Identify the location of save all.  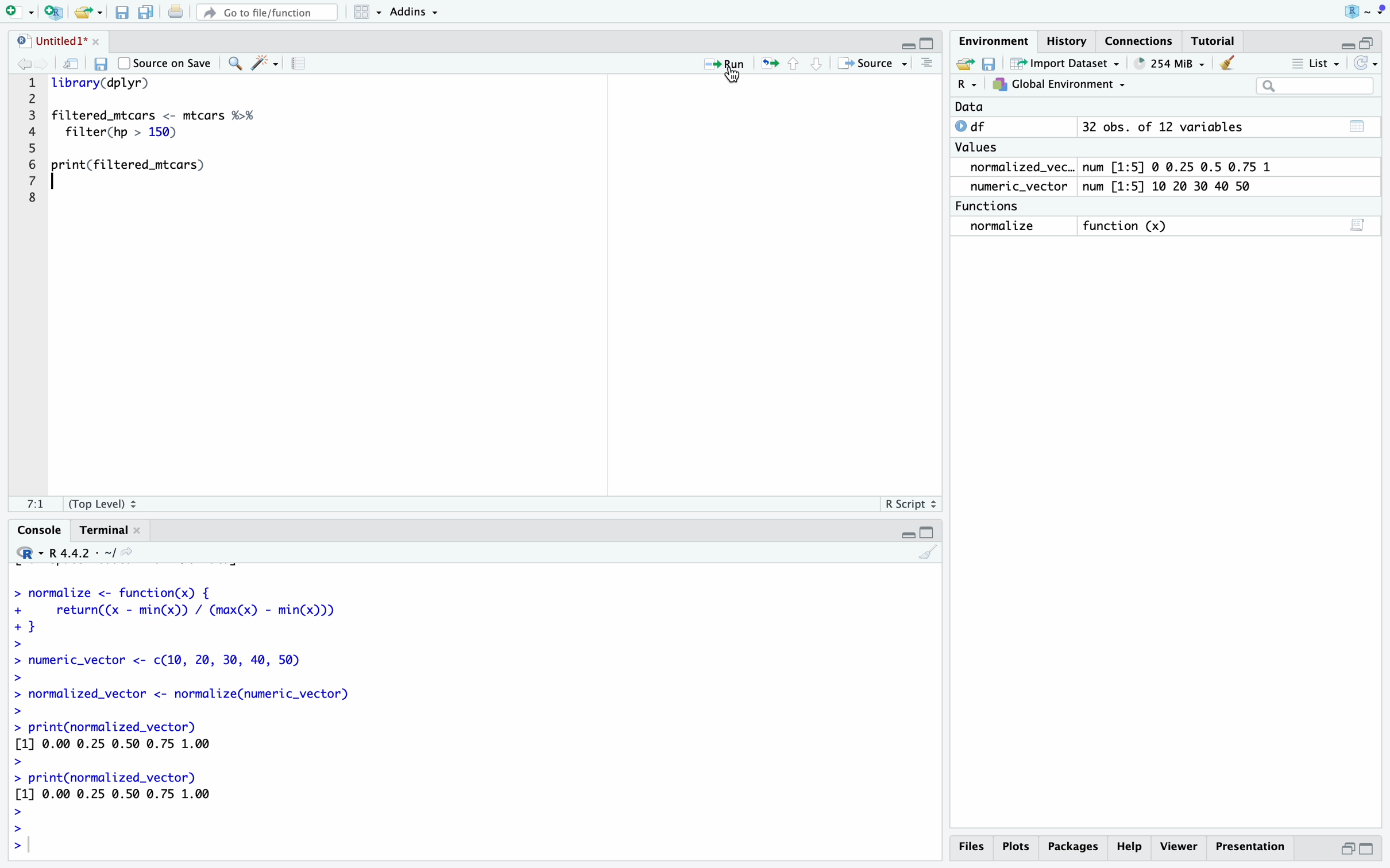
(147, 14).